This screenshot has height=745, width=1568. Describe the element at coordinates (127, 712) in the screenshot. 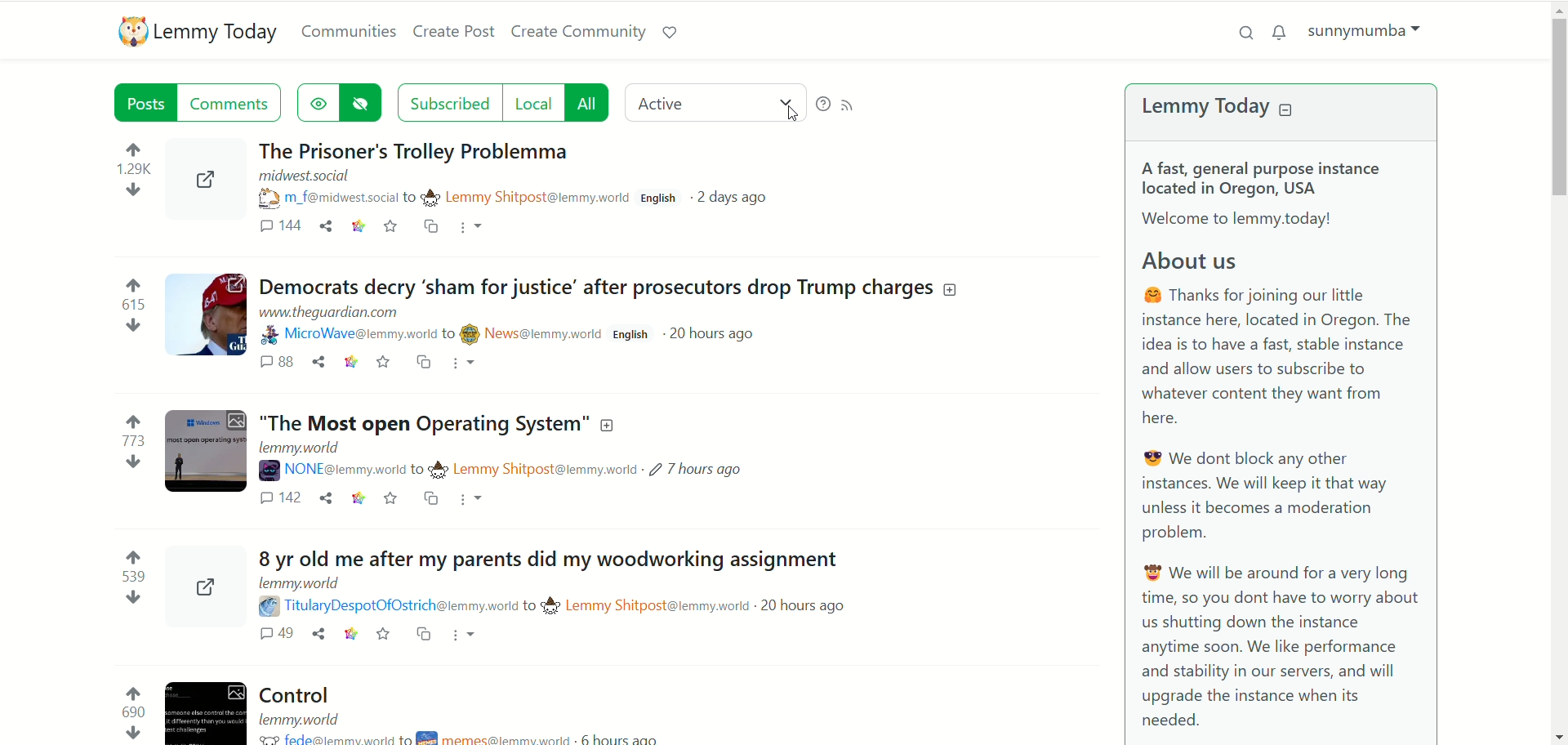

I see `votes` at that location.